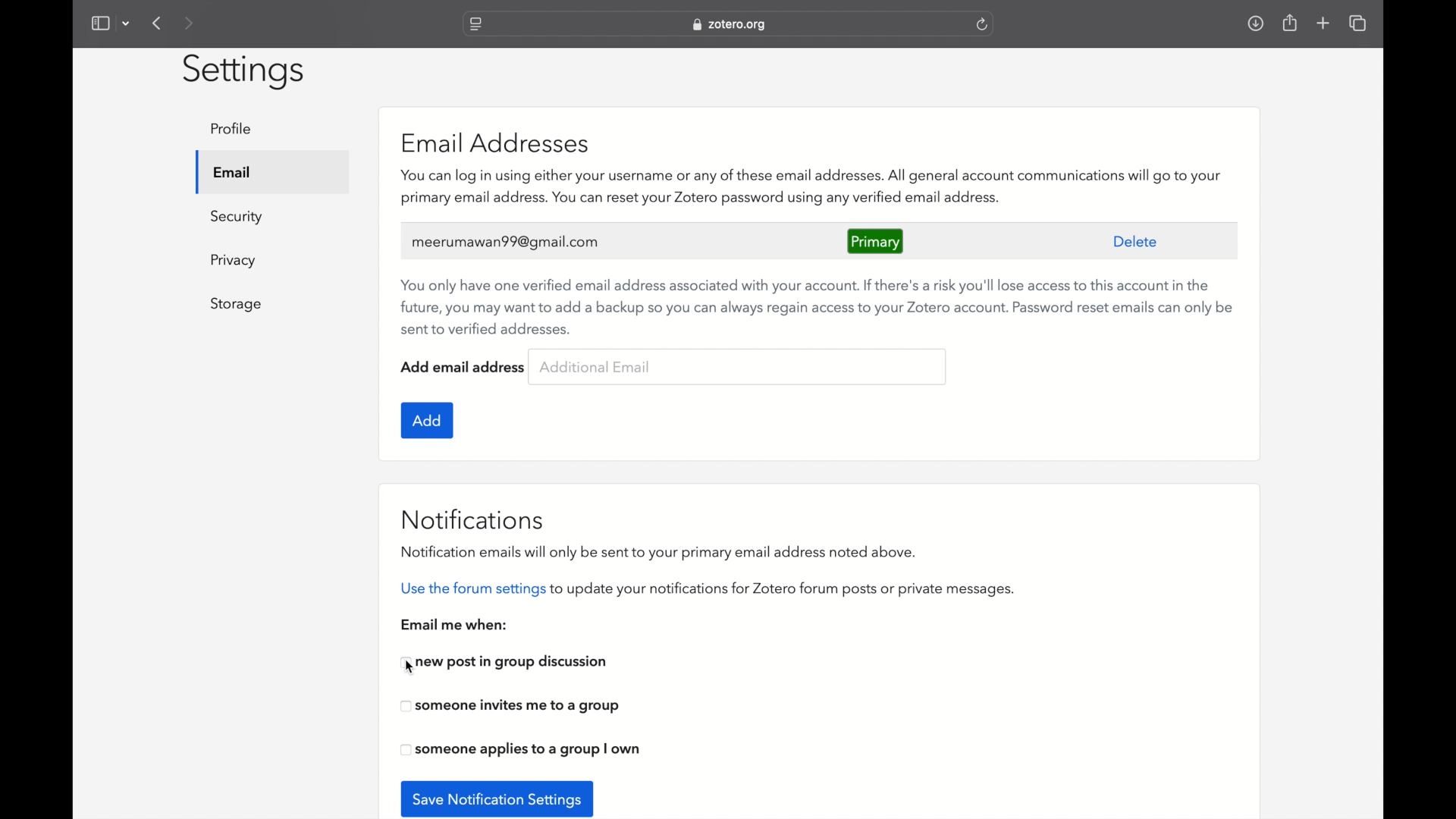 The width and height of the screenshot is (1456, 819). I want to click on email addresses, so click(497, 143).